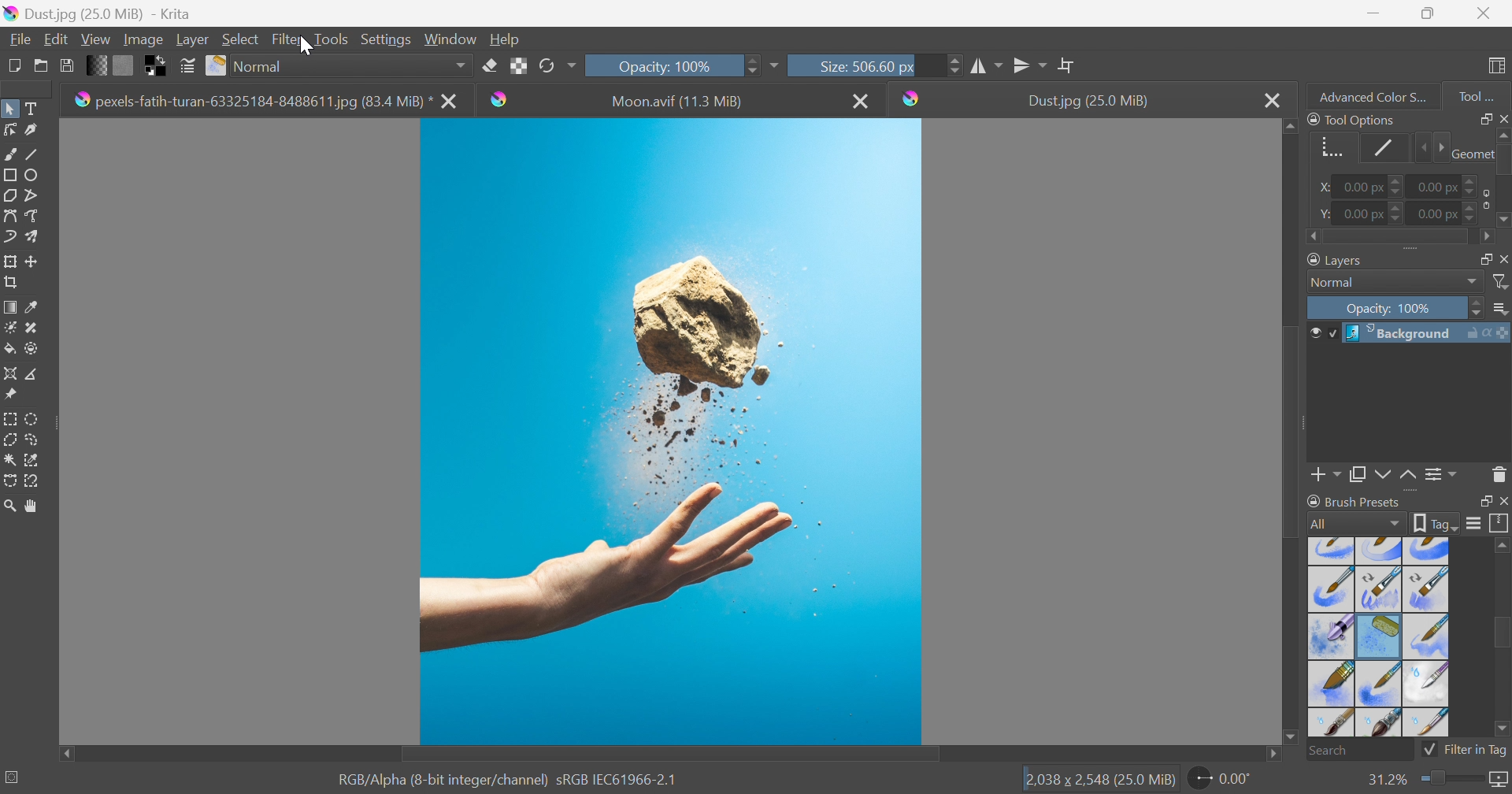 Image resolution: width=1512 pixels, height=794 pixels. What do you see at coordinates (1272, 100) in the screenshot?
I see `Close` at bounding box center [1272, 100].